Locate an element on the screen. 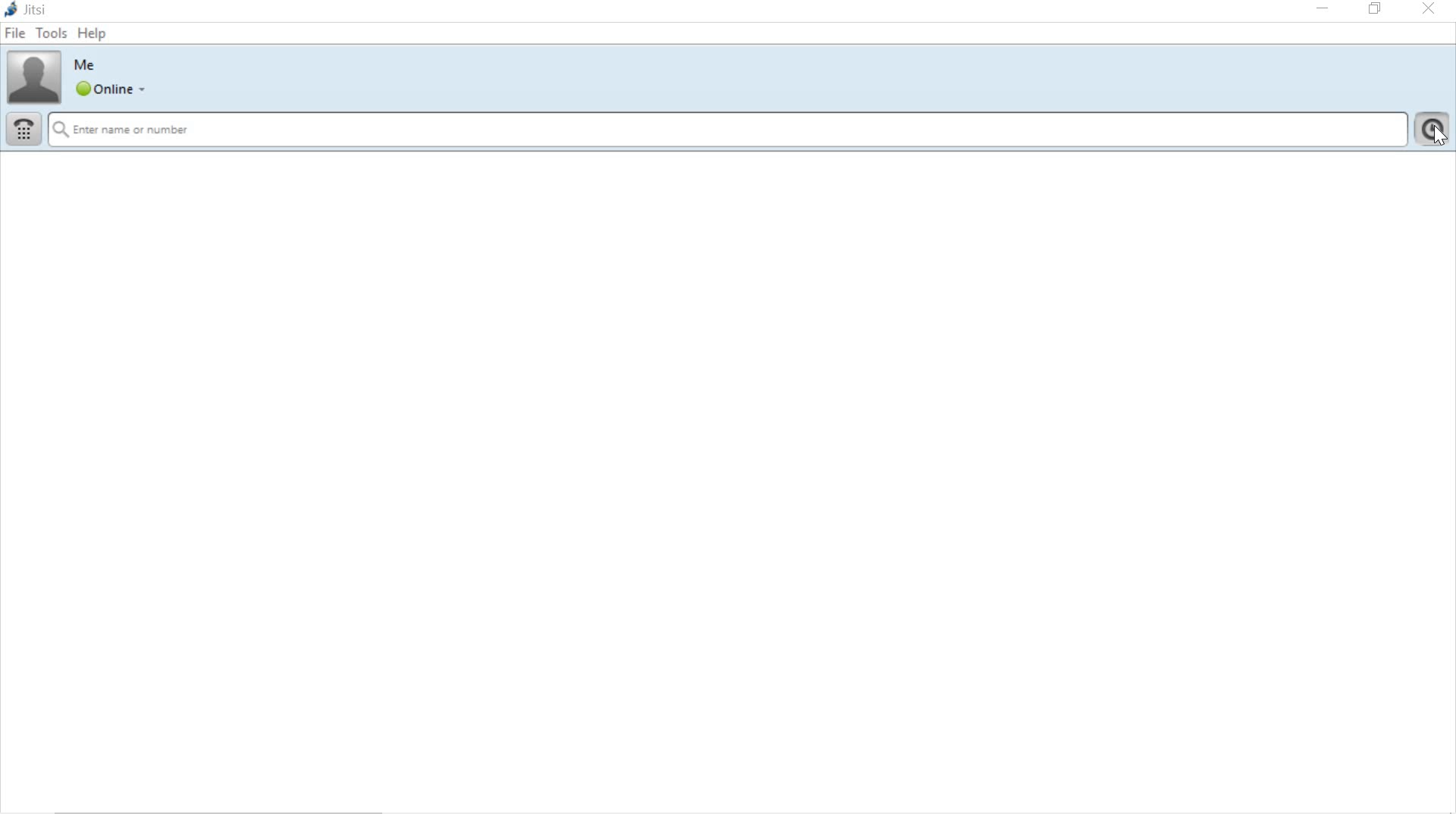  cursor is located at coordinates (1439, 139).